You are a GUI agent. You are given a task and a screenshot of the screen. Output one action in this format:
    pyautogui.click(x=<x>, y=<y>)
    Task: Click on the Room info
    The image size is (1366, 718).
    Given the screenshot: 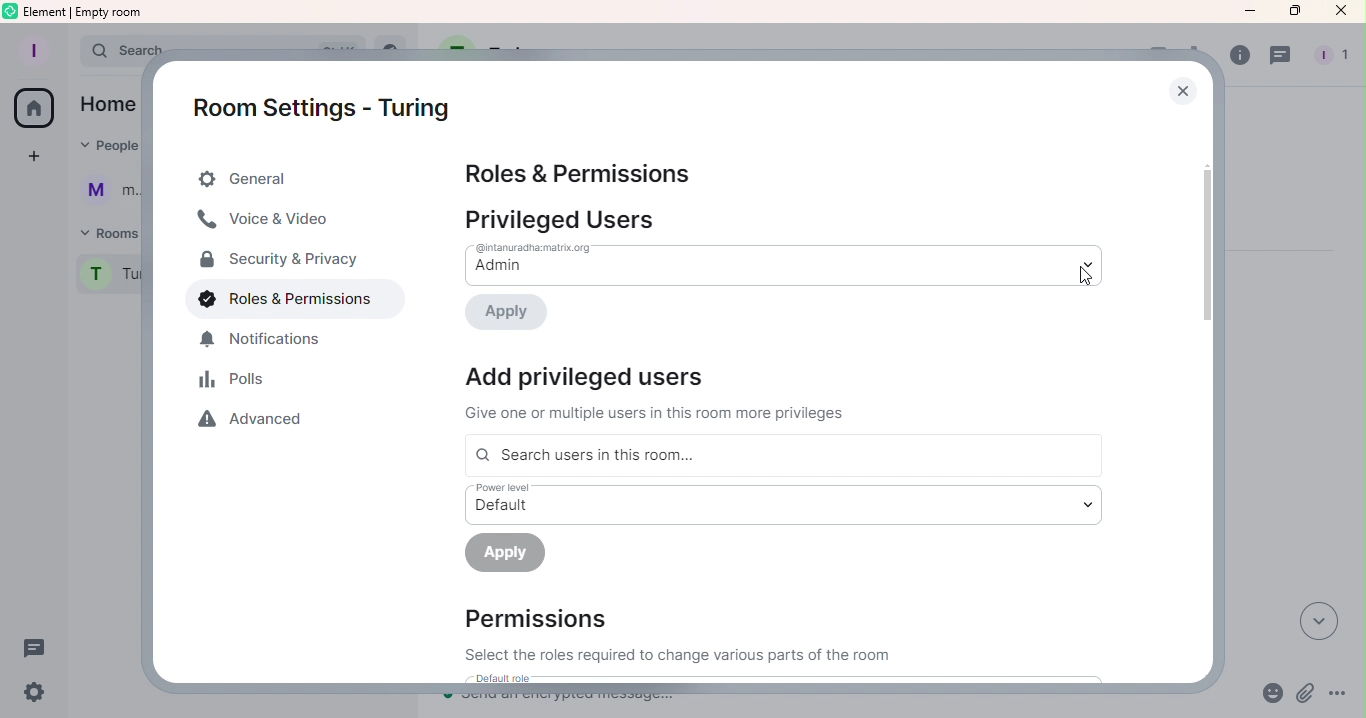 What is the action you would take?
    pyautogui.click(x=1236, y=59)
    